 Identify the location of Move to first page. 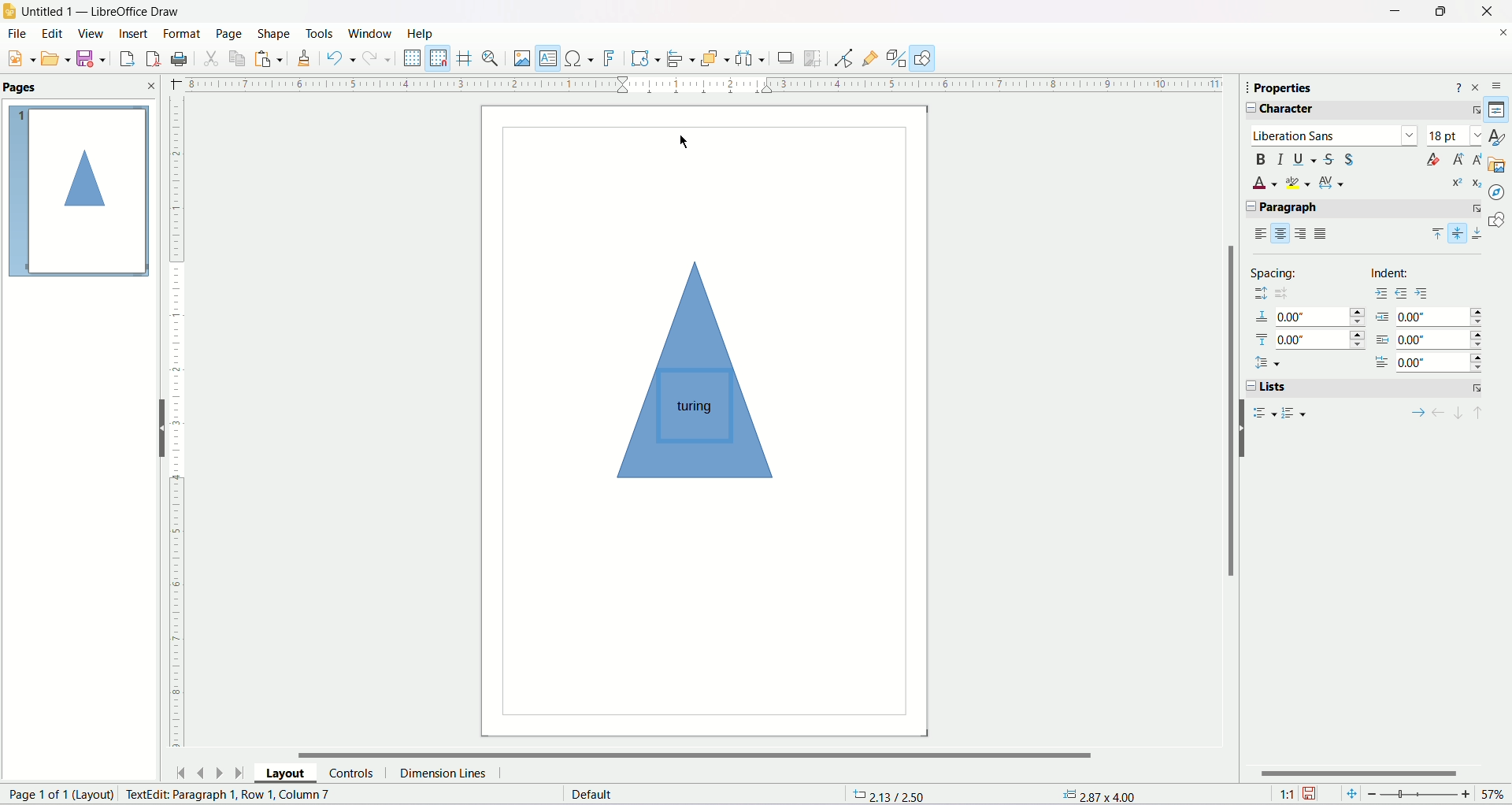
(180, 773).